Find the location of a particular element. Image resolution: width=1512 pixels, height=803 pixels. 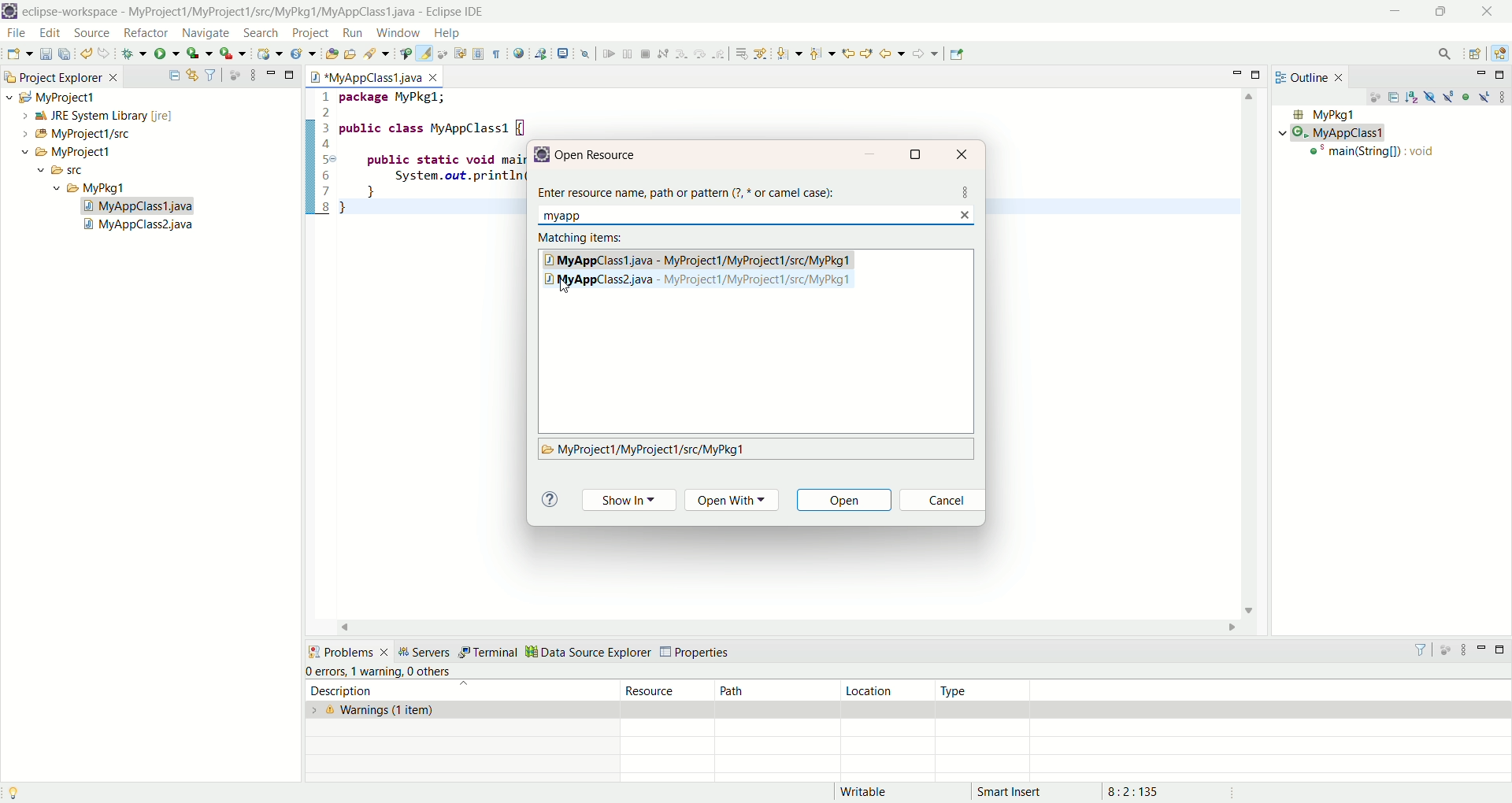

focus on active task is located at coordinates (1373, 98).